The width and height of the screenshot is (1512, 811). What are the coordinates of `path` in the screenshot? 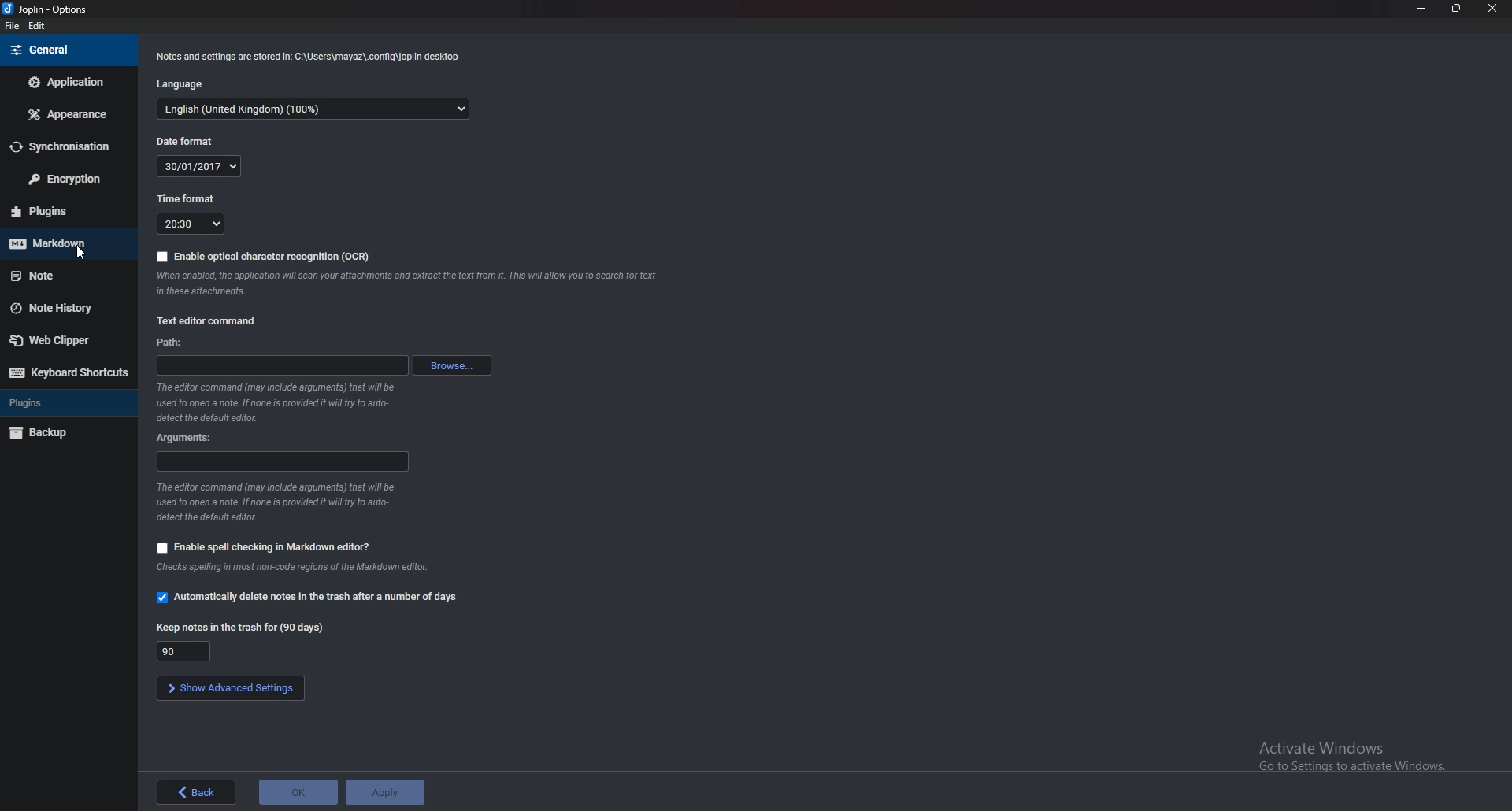 It's located at (282, 364).